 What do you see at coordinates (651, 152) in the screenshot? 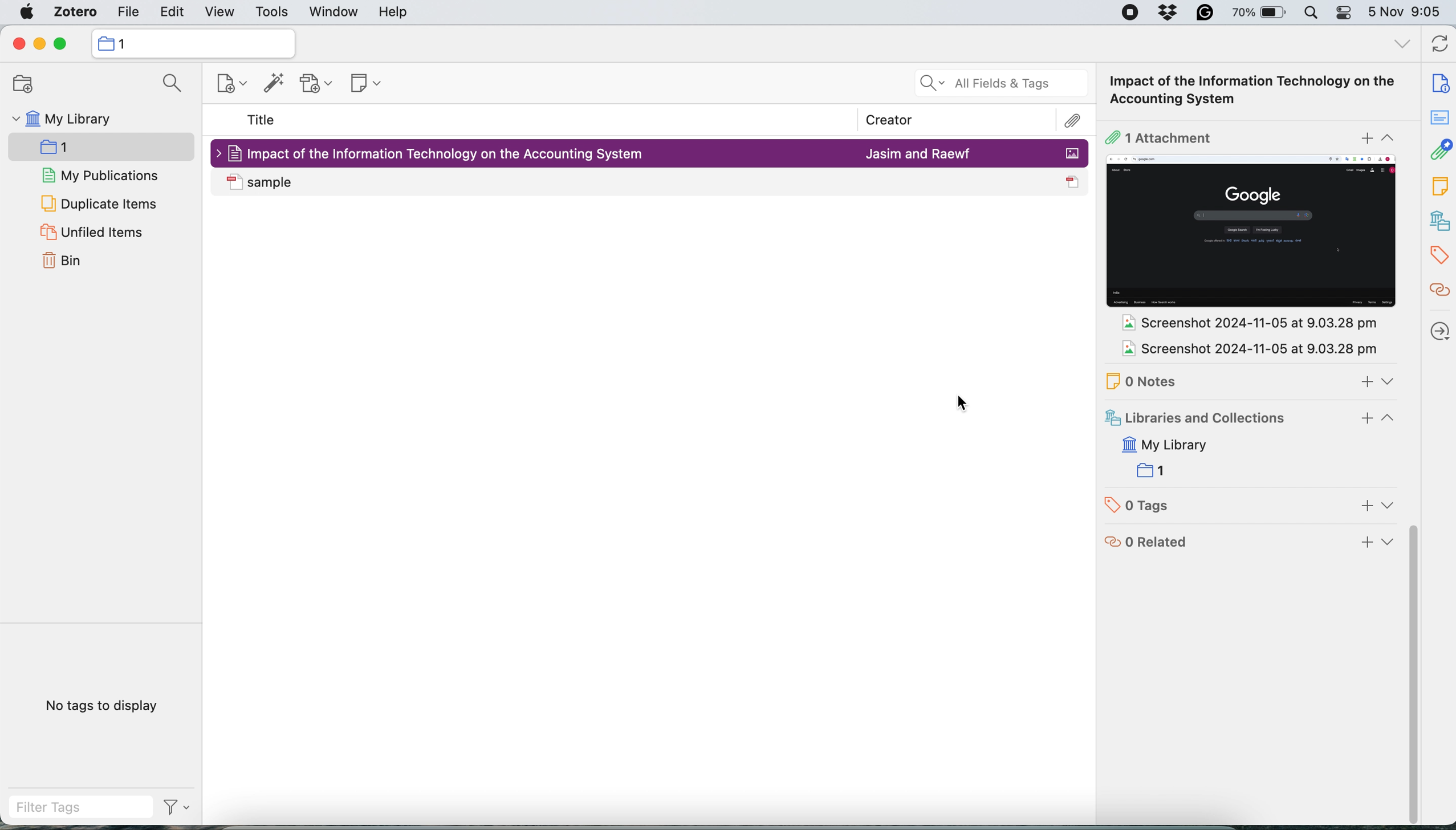
I see `Impact of the Information Technology on the Accounting System  Jasim and Raewf` at bounding box center [651, 152].